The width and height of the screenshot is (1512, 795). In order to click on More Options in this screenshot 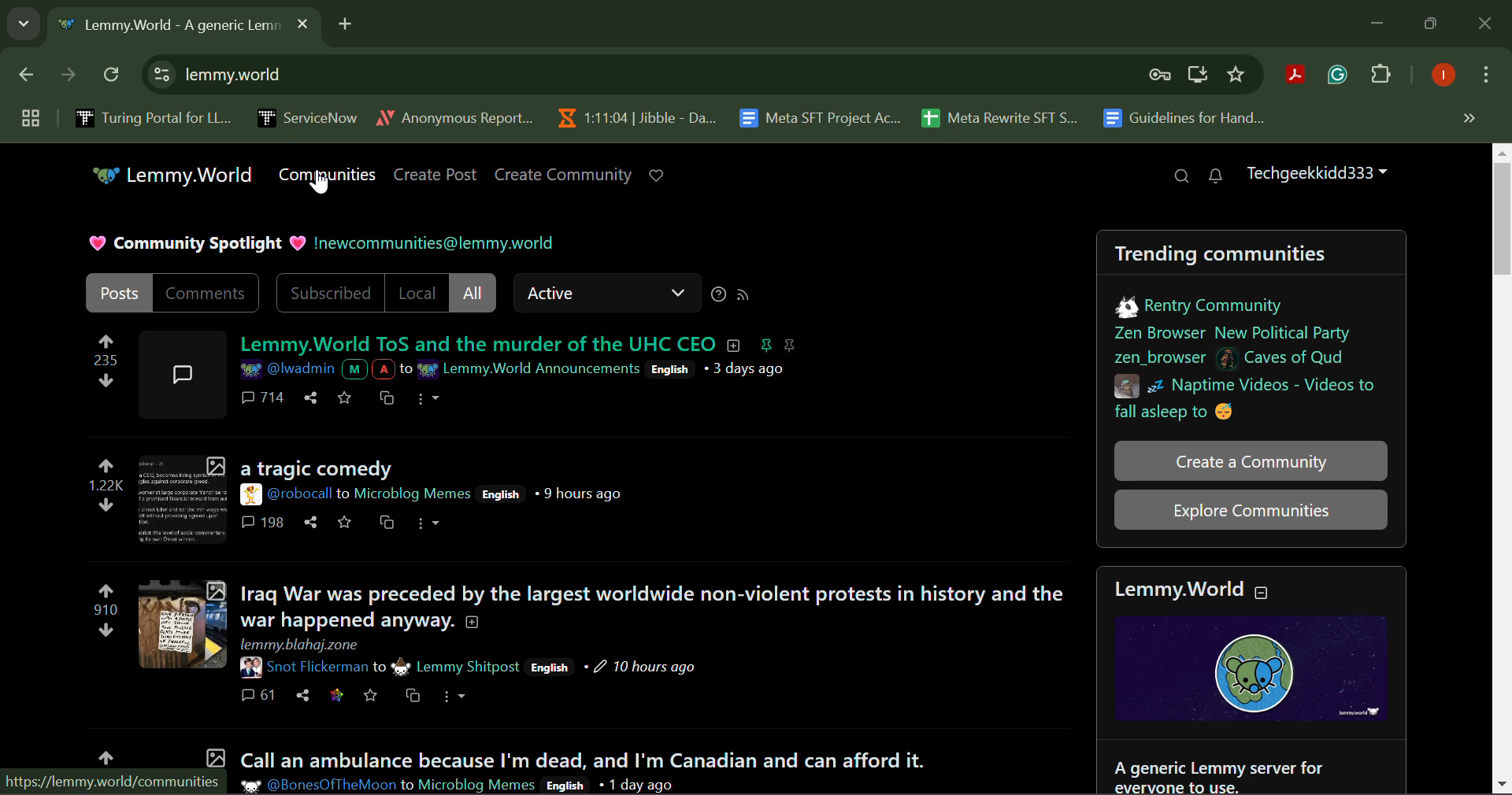, I will do `click(427, 399)`.